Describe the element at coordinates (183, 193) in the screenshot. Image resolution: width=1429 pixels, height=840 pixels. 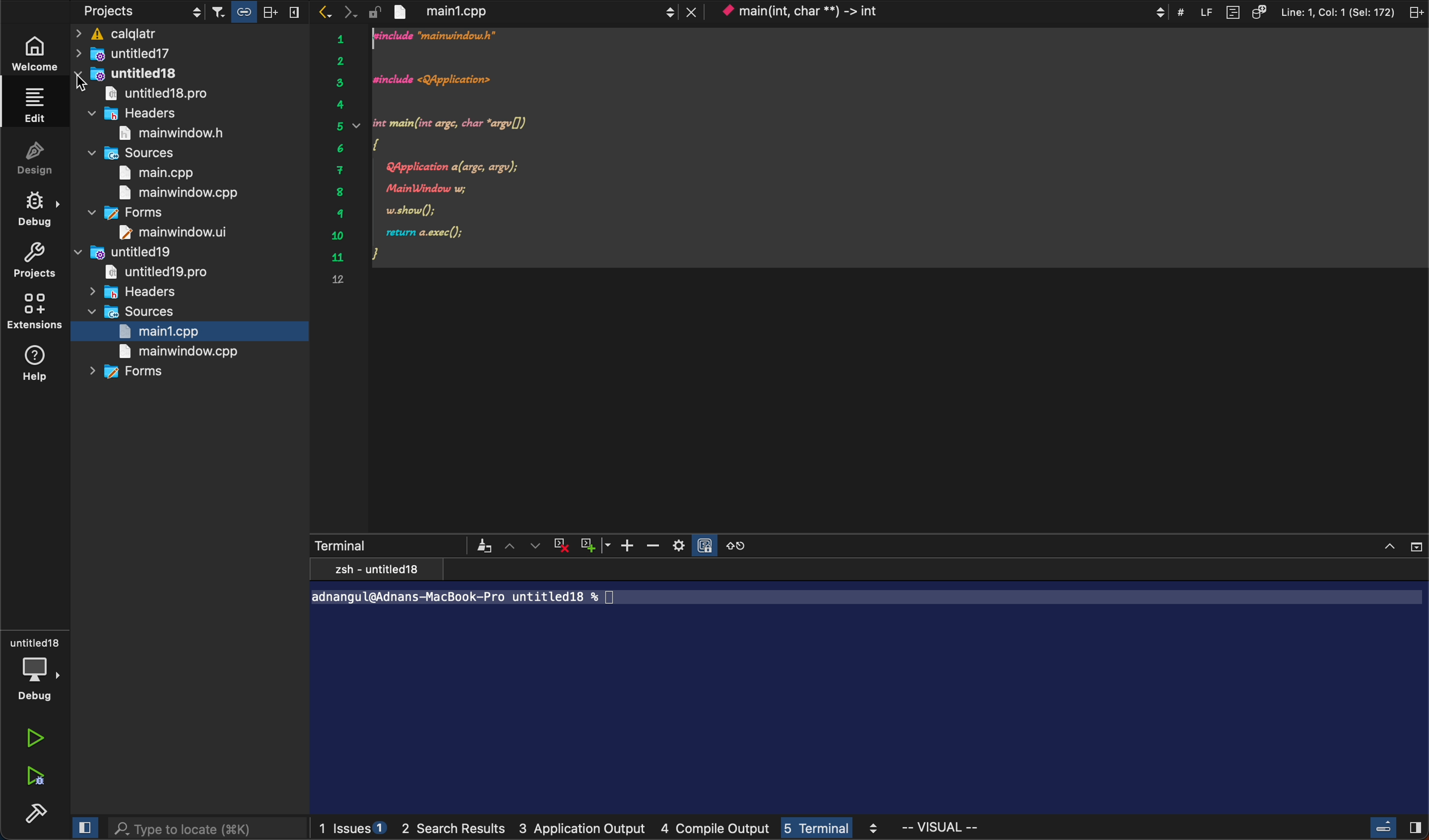
I see `main window` at that location.